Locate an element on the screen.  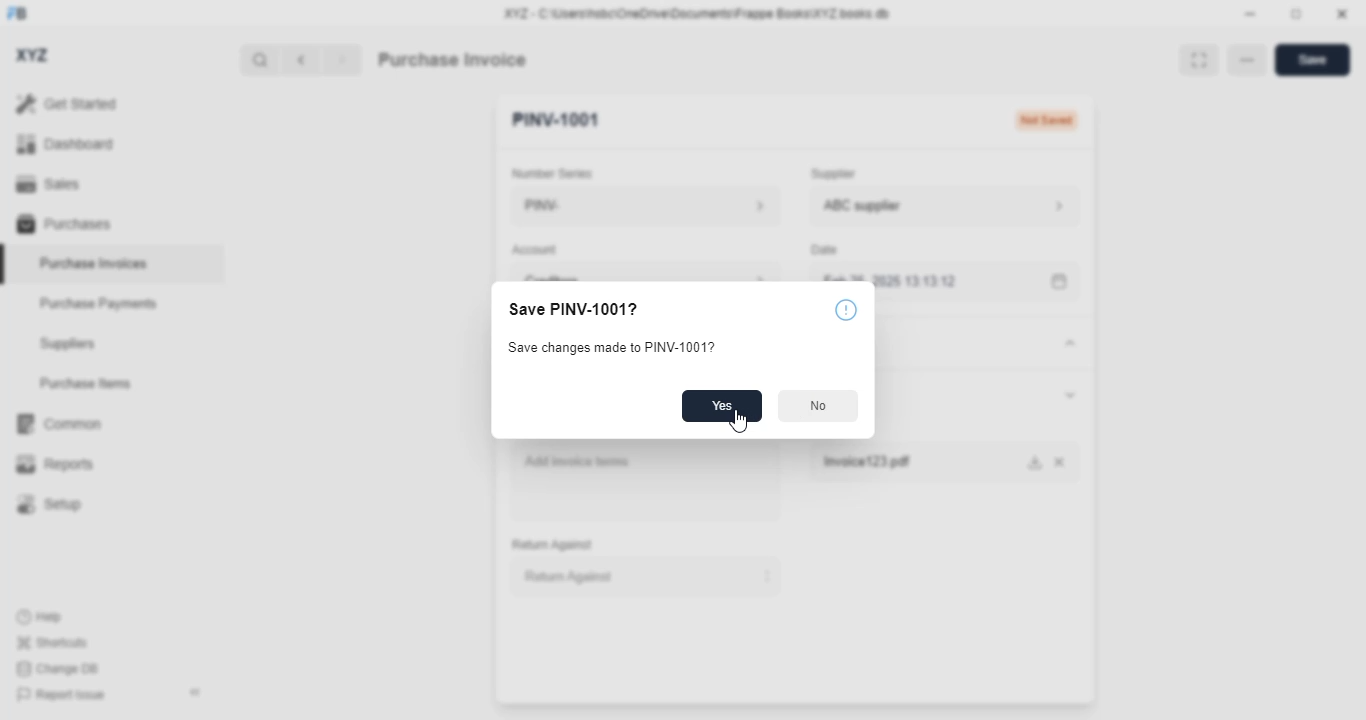
help is located at coordinates (40, 617).